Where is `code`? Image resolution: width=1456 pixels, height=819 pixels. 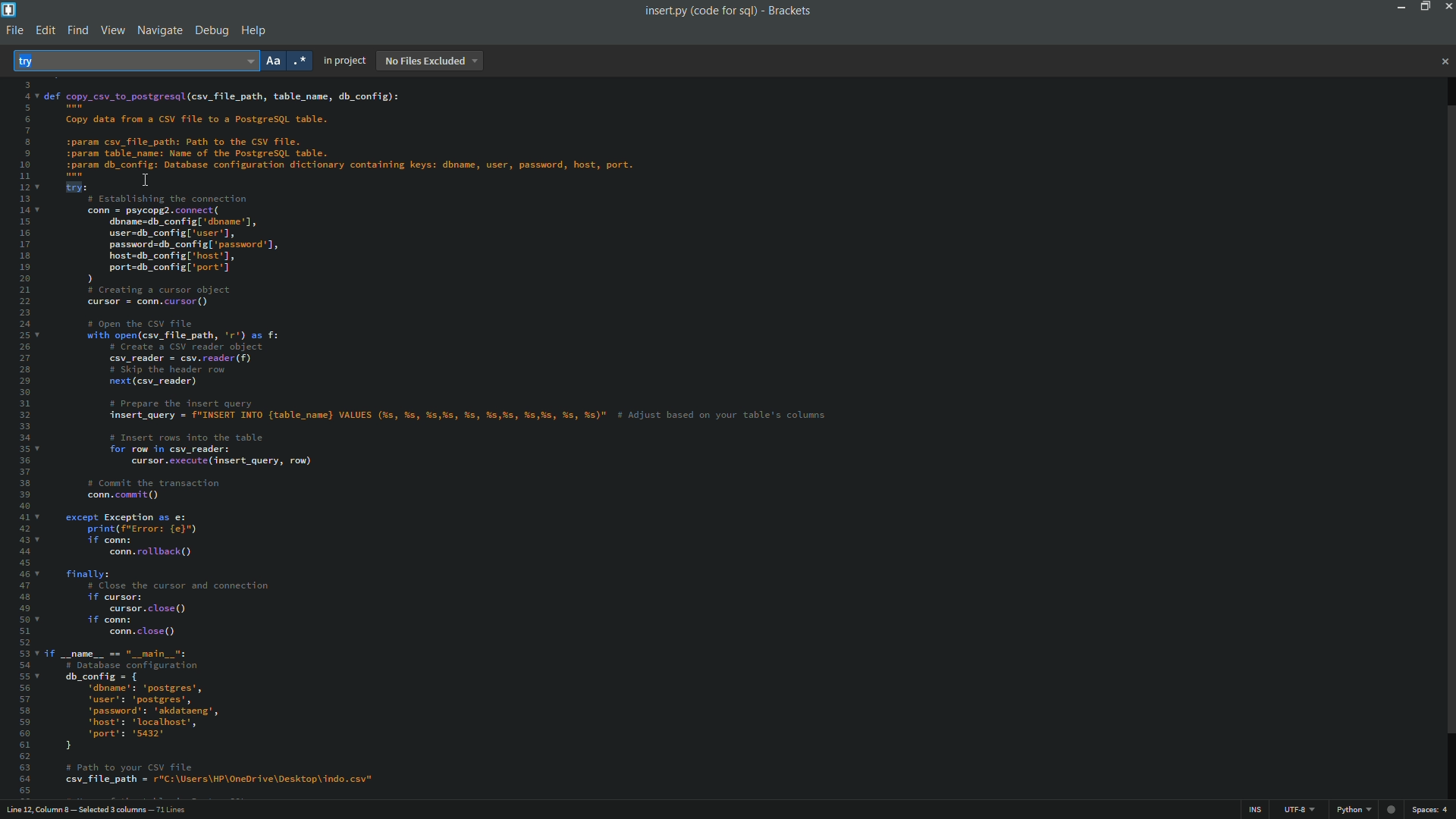 code is located at coordinates (452, 441).